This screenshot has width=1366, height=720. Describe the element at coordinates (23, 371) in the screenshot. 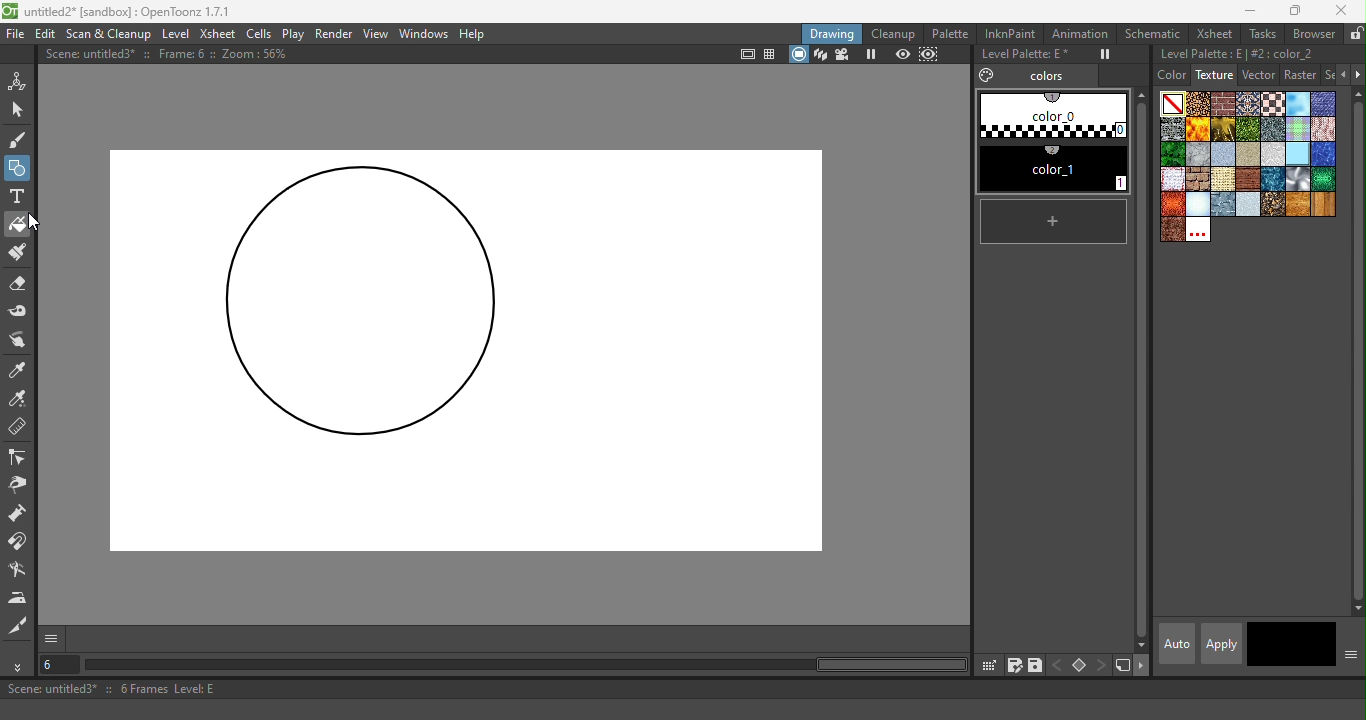

I see `Style picker tool` at that location.